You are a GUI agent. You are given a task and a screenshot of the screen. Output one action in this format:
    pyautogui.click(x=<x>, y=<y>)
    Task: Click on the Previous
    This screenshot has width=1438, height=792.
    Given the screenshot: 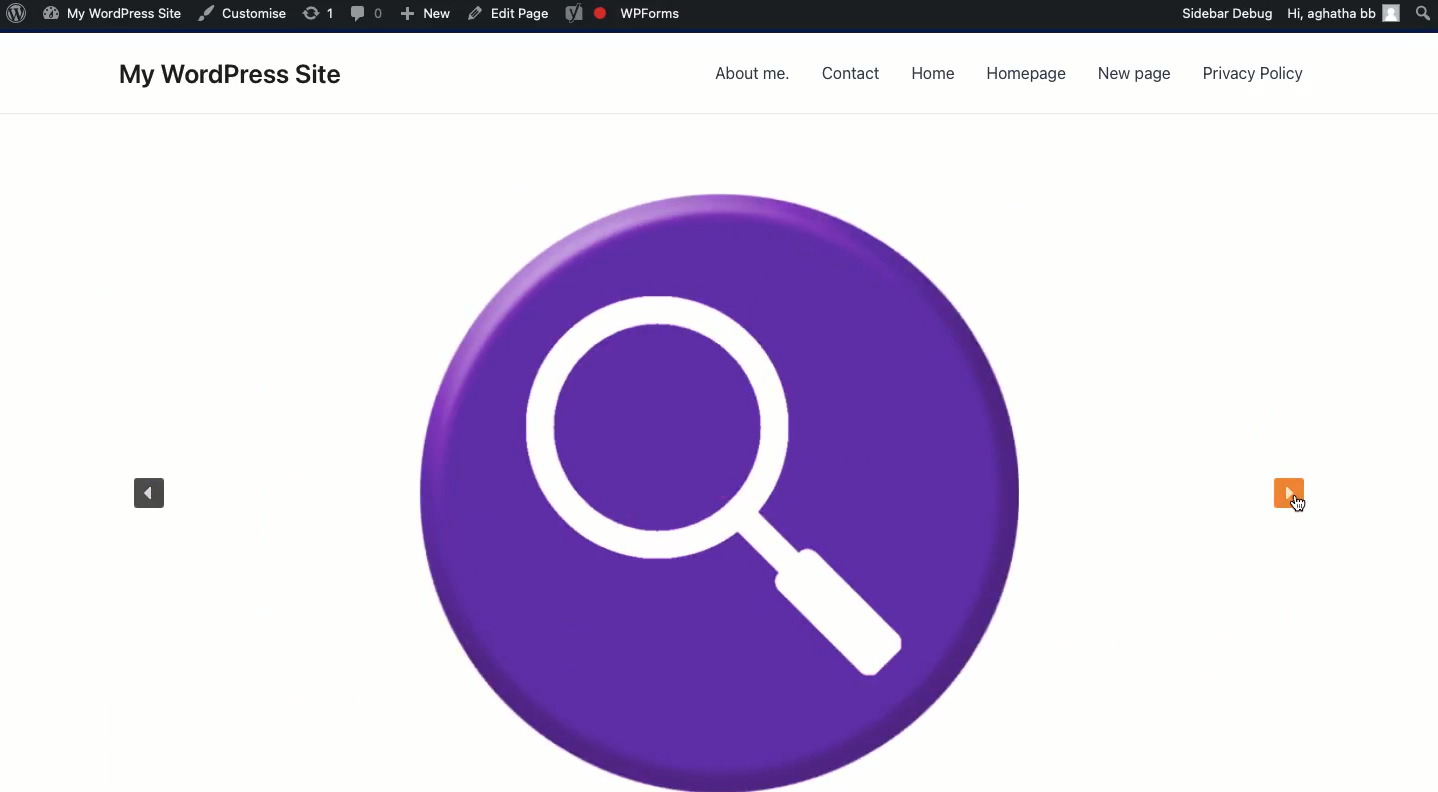 What is the action you would take?
    pyautogui.click(x=144, y=492)
    